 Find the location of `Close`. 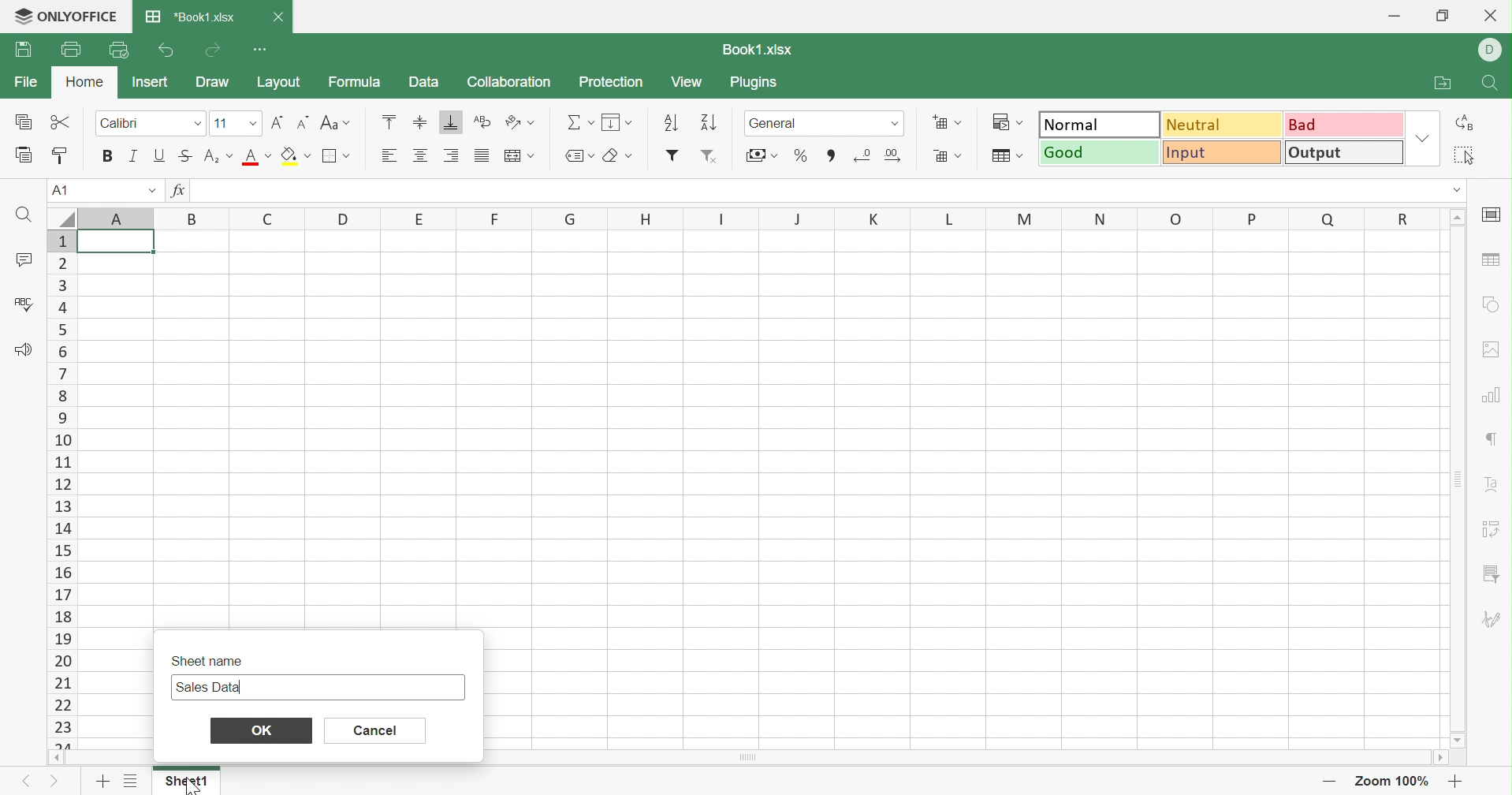

Close is located at coordinates (277, 17).